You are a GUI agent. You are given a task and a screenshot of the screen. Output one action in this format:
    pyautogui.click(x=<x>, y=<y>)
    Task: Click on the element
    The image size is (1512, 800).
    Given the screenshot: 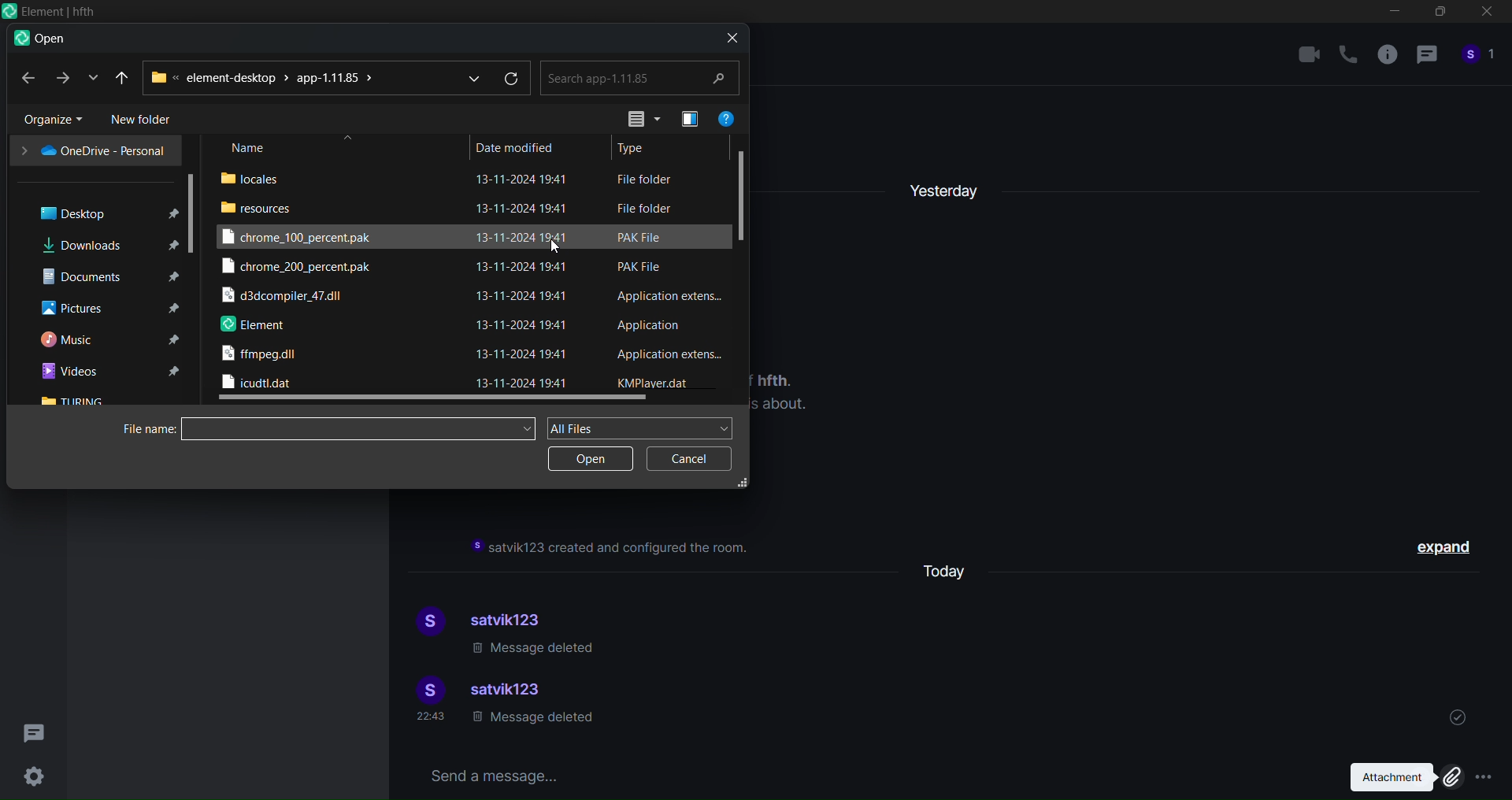 What is the action you would take?
    pyautogui.click(x=254, y=326)
    